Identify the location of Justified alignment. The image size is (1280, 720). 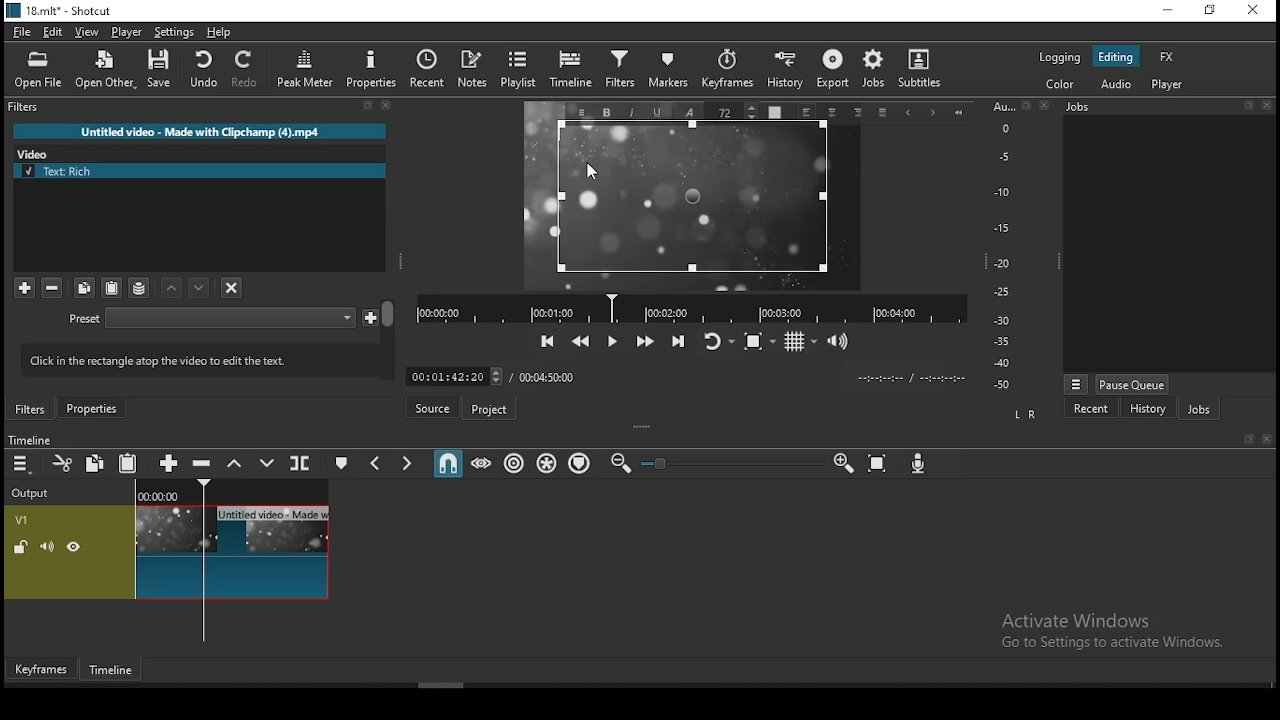
(882, 113).